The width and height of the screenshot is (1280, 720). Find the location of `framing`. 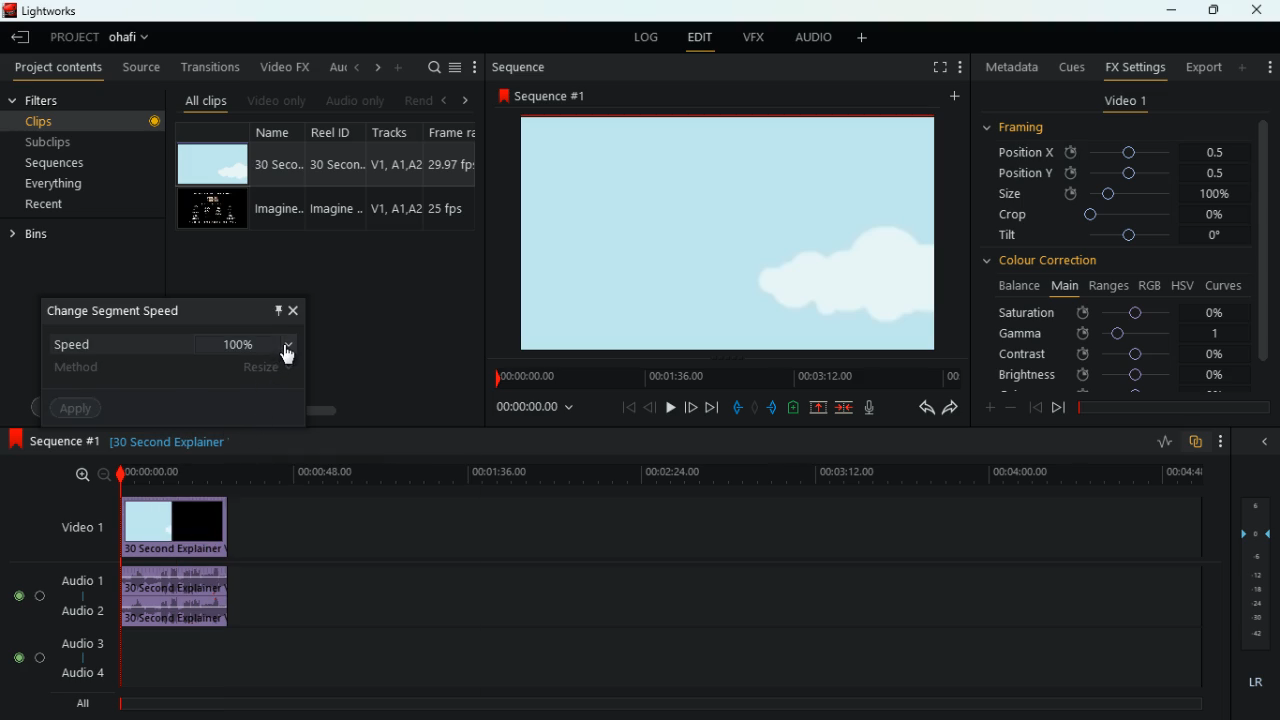

framing is located at coordinates (1026, 129).